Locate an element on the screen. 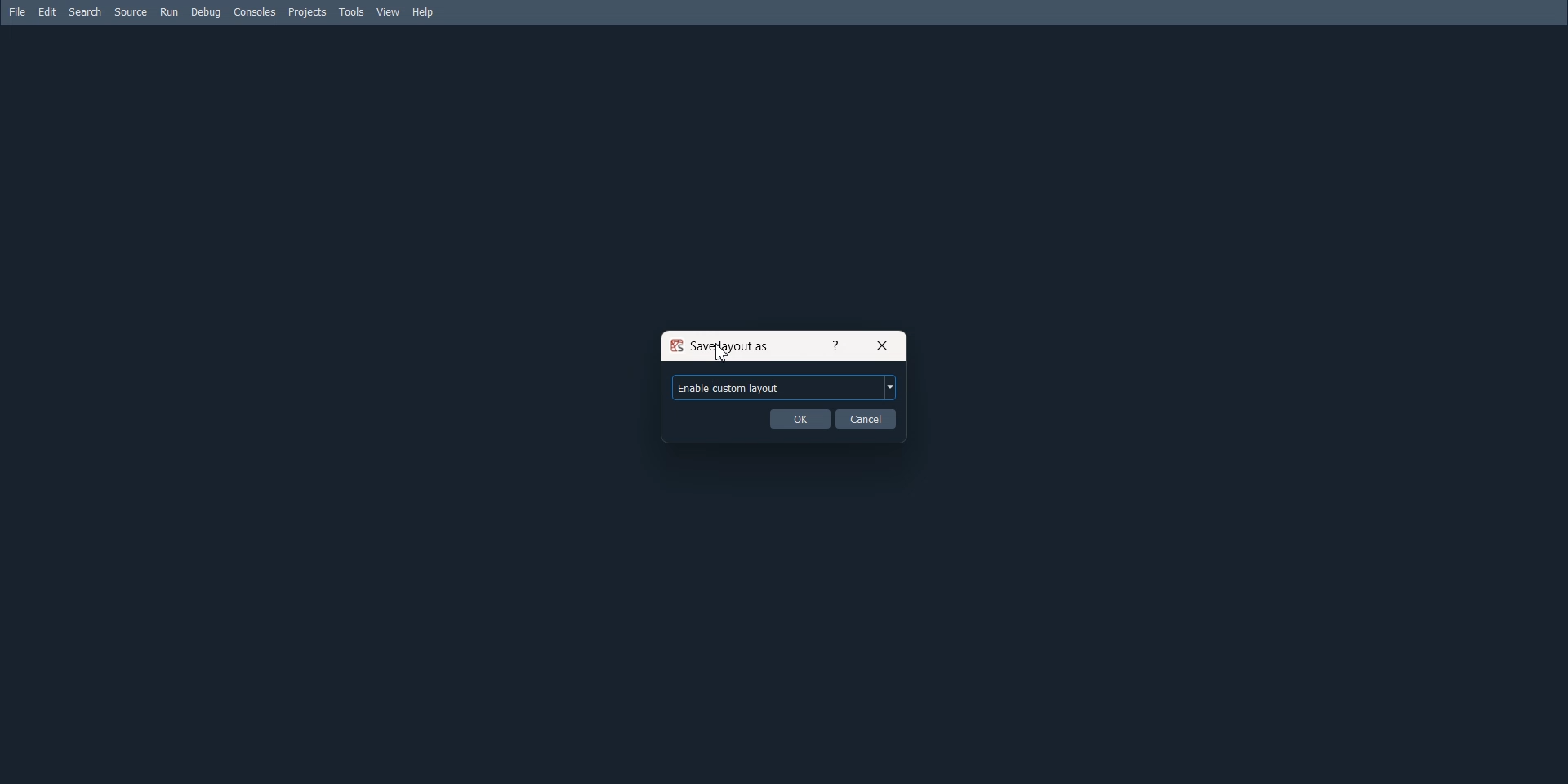  Consoles is located at coordinates (256, 11).